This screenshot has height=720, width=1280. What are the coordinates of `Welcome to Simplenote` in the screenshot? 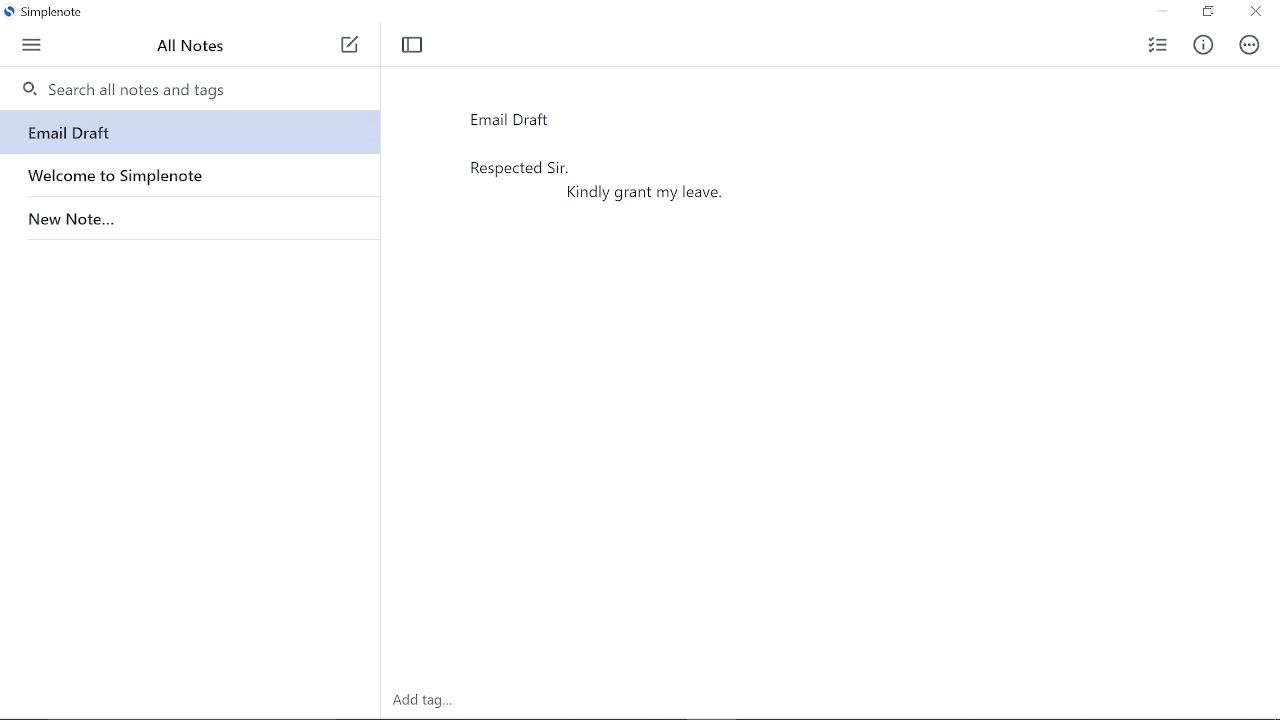 It's located at (191, 175).